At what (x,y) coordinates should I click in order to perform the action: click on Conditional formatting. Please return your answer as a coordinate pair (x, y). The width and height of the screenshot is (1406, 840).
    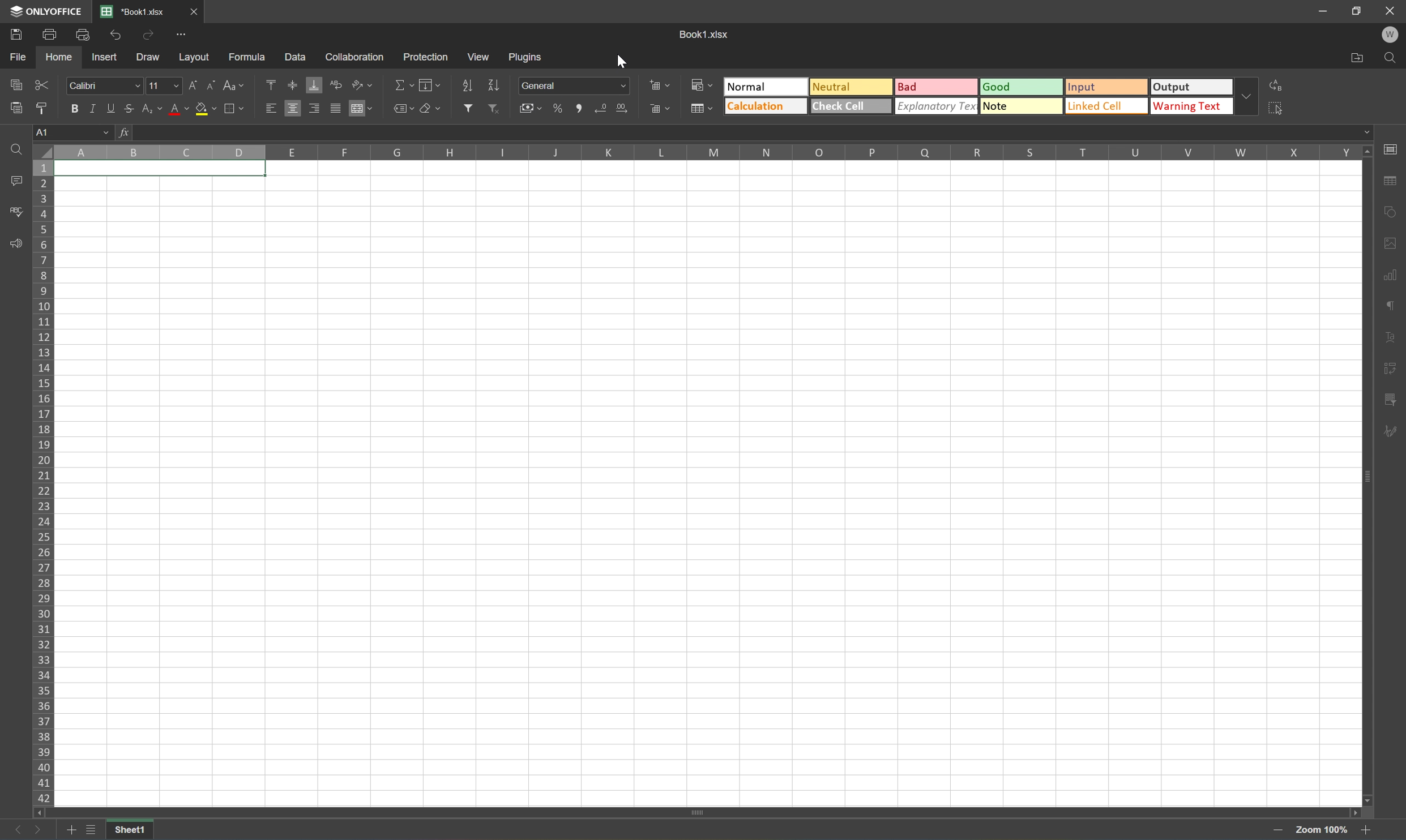
    Looking at the image, I should click on (702, 84).